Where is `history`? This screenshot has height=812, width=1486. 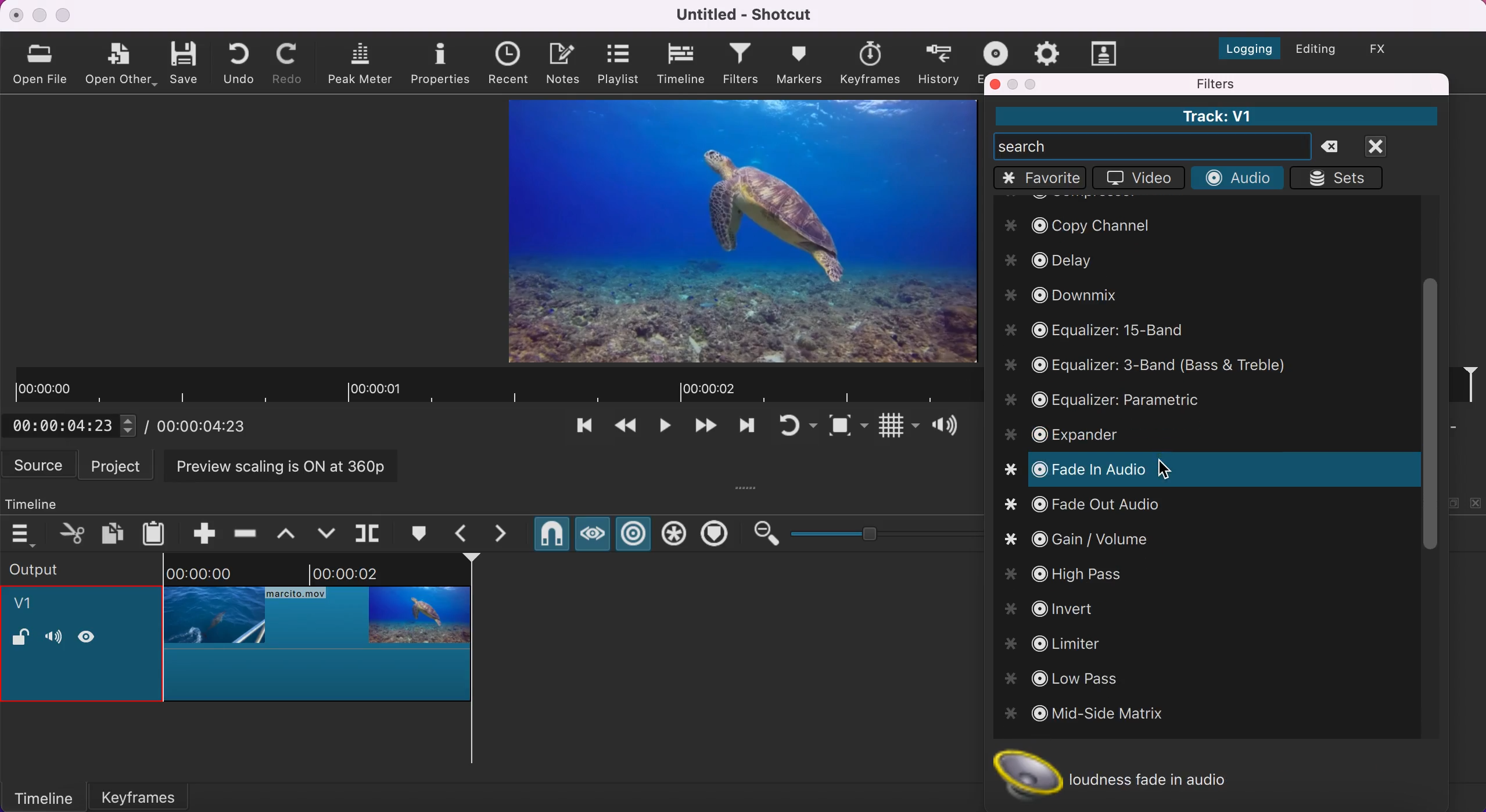 history is located at coordinates (940, 63).